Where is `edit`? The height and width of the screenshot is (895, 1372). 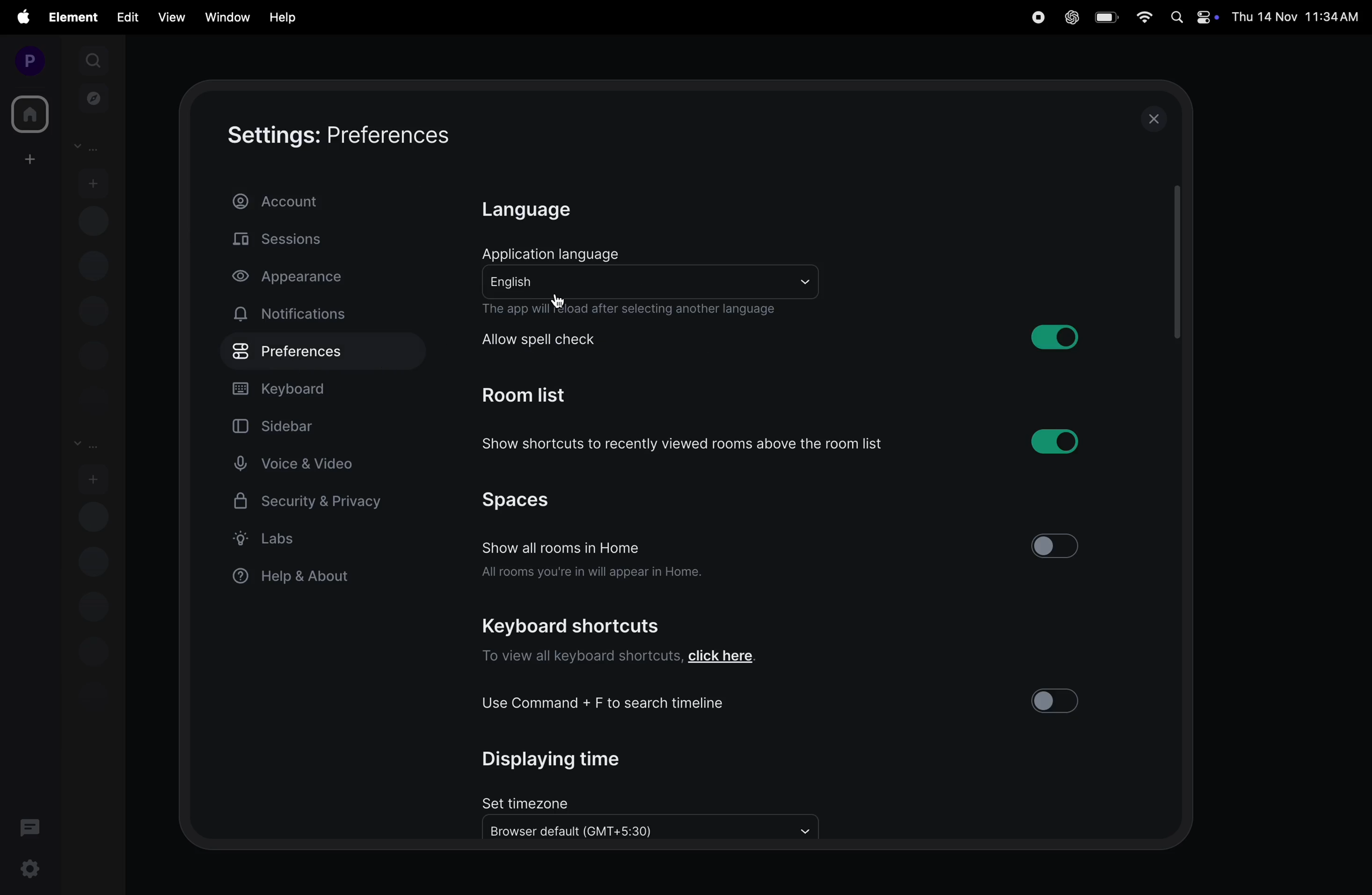
edit is located at coordinates (127, 18).